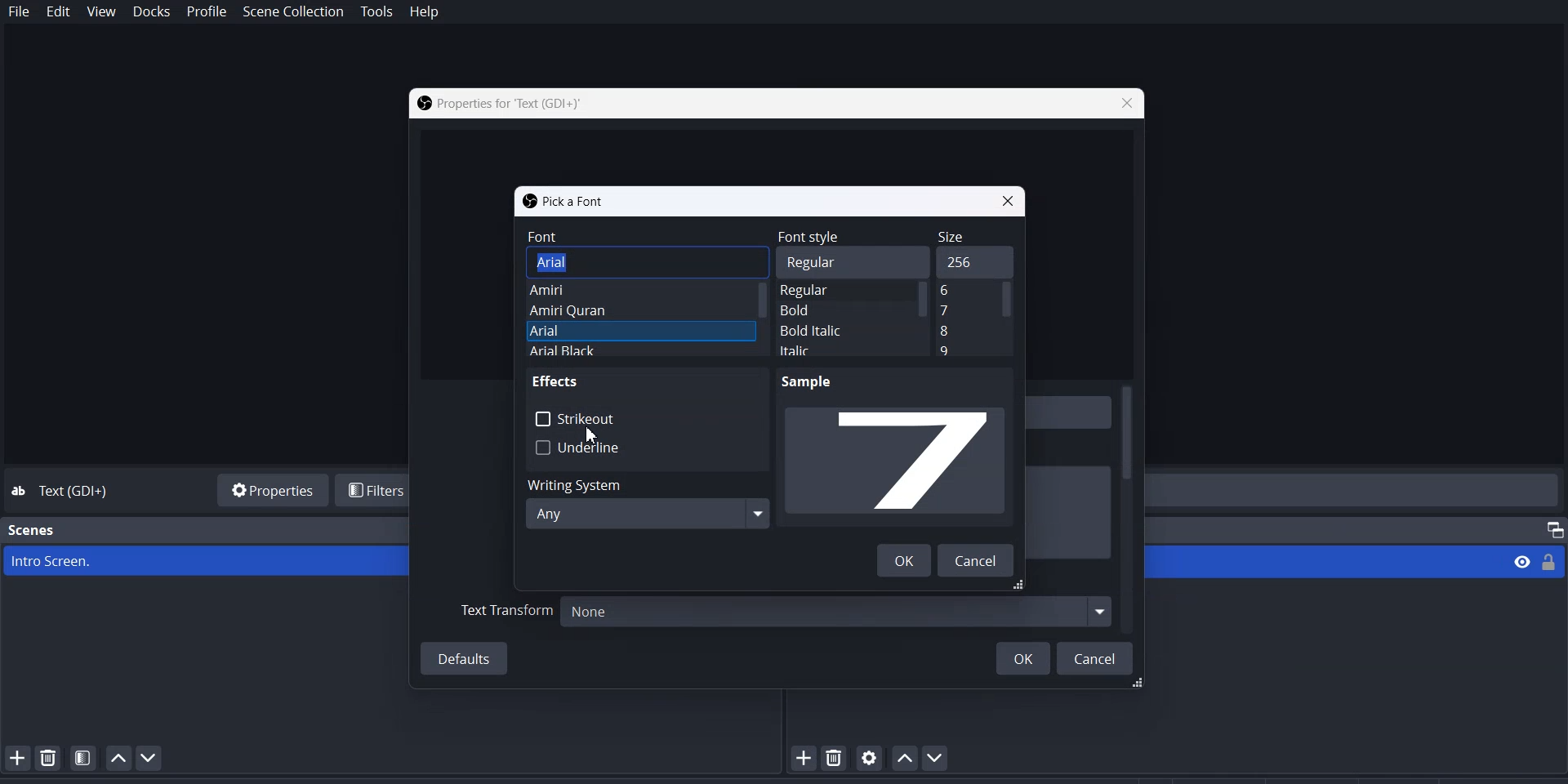 The height and width of the screenshot is (784, 1568). Describe the element at coordinates (827, 350) in the screenshot. I see `Italic` at that location.